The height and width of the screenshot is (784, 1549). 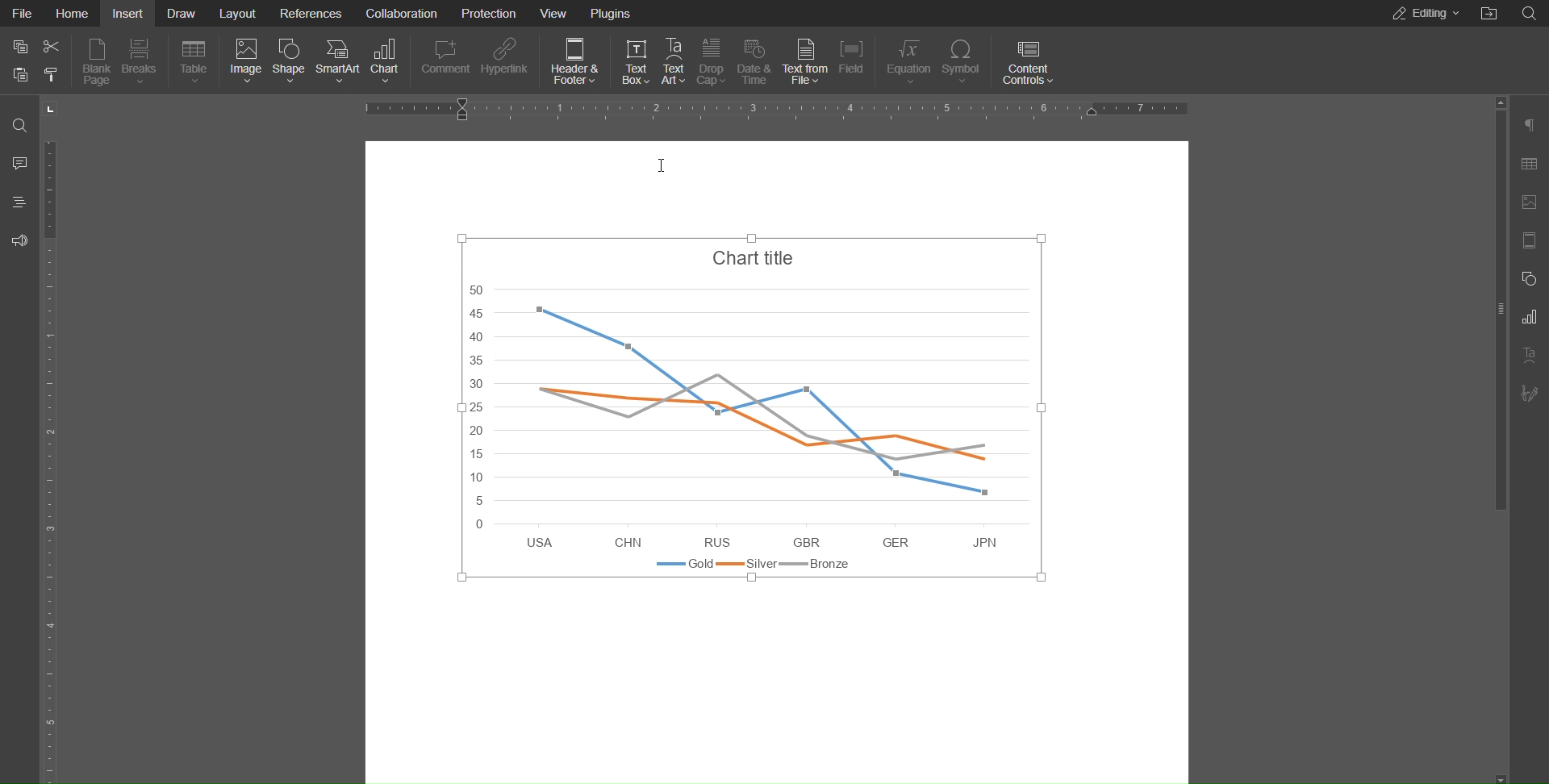 I want to click on Vertical Ruler, so click(x=55, y=457).